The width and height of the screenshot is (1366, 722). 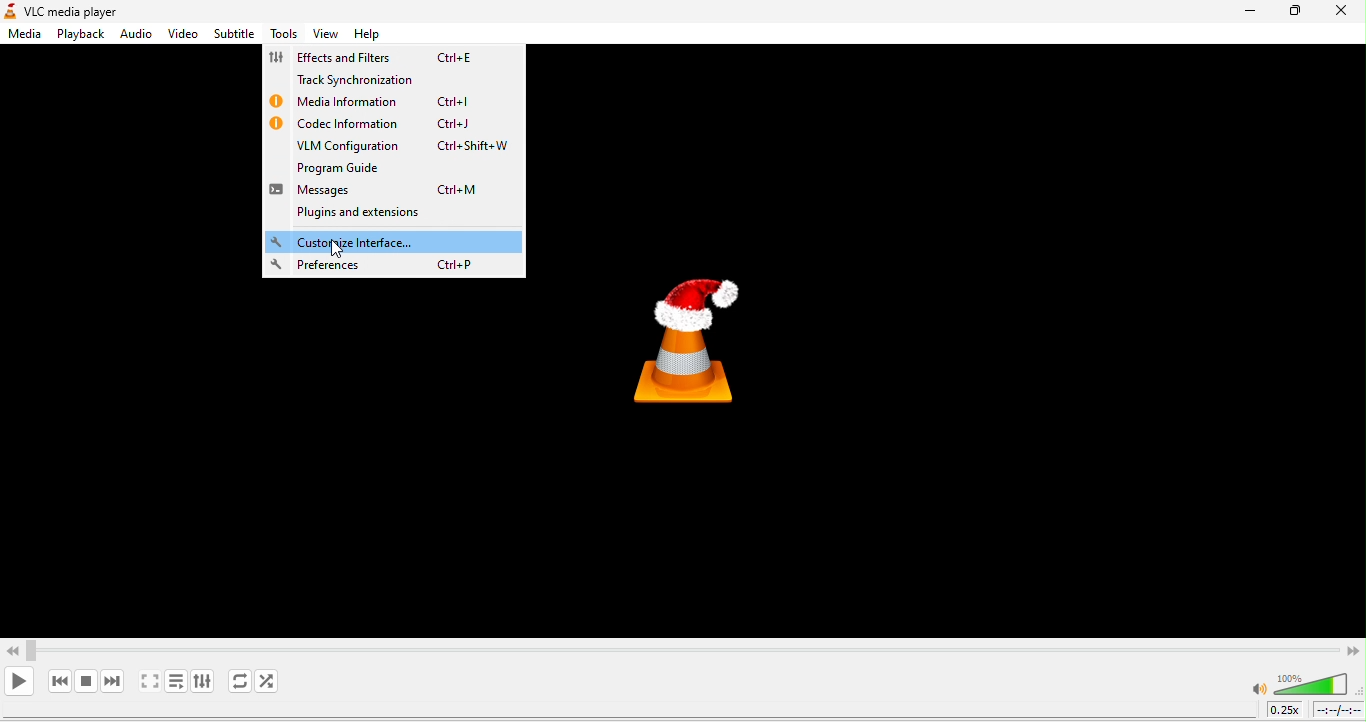 I want to click on play, so click(x=20, y=681).